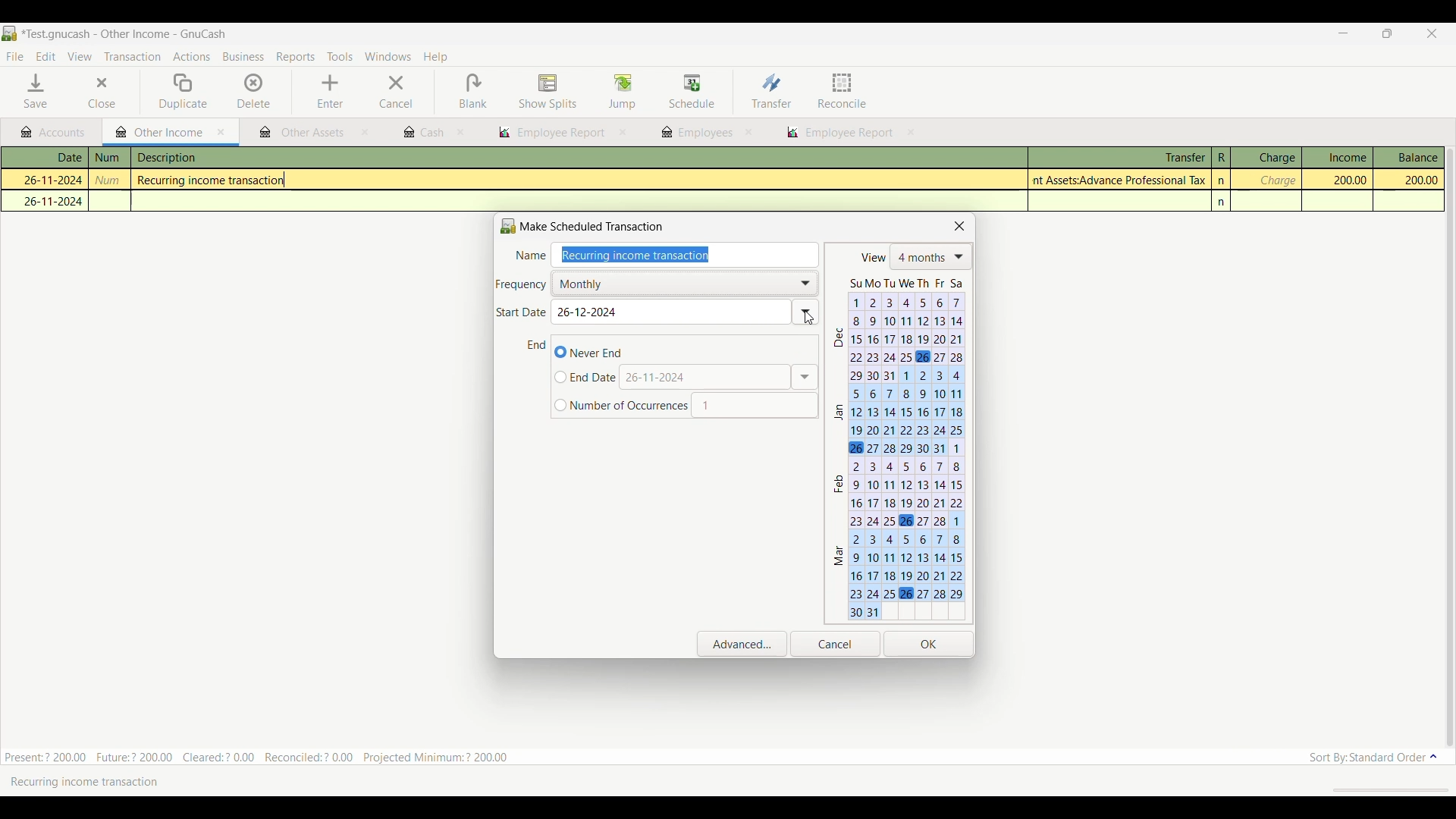 The image size is (1456, 819). I want to click on Transfer column, so click(1119, 155).